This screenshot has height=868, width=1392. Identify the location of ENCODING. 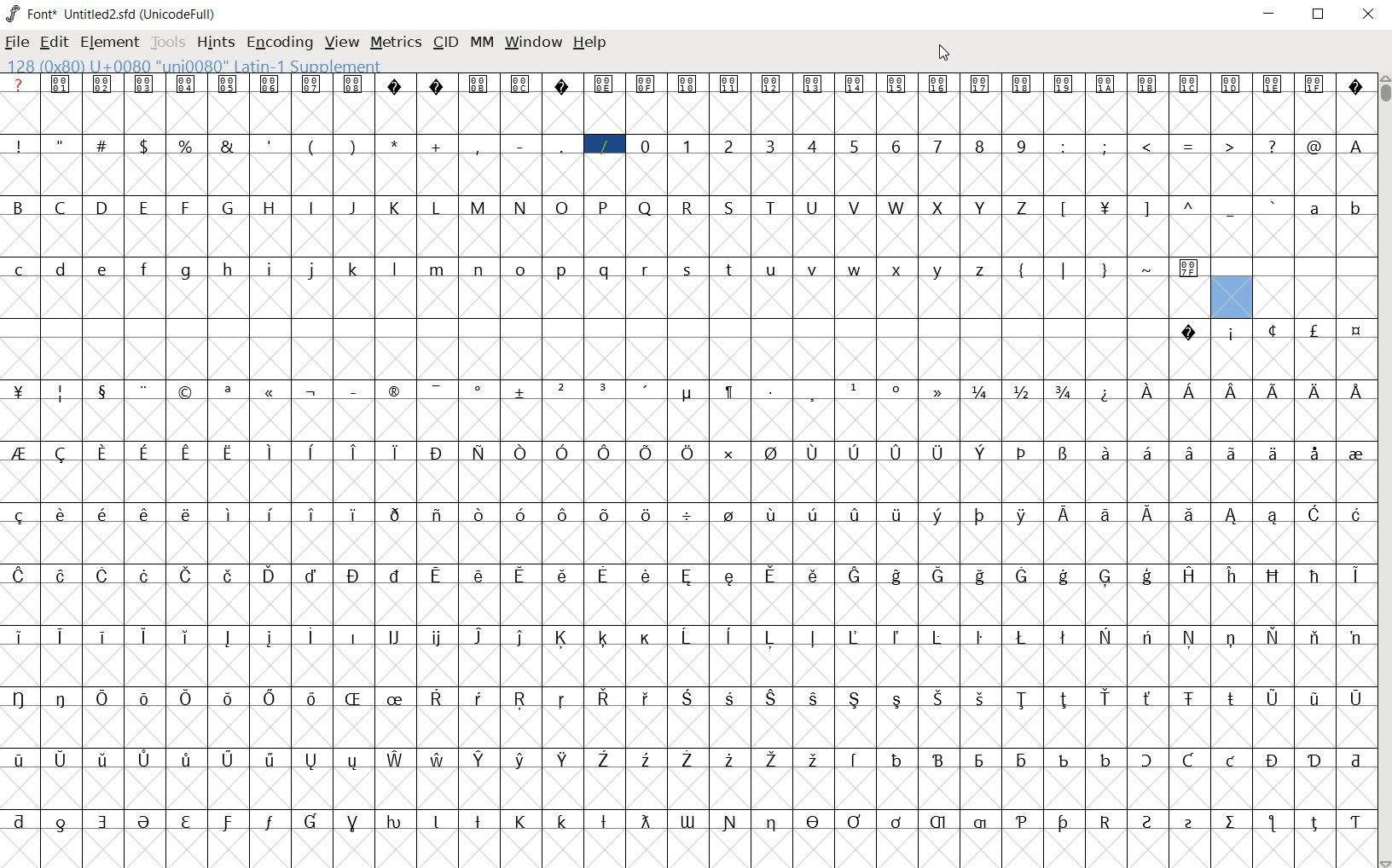
(278, 42).